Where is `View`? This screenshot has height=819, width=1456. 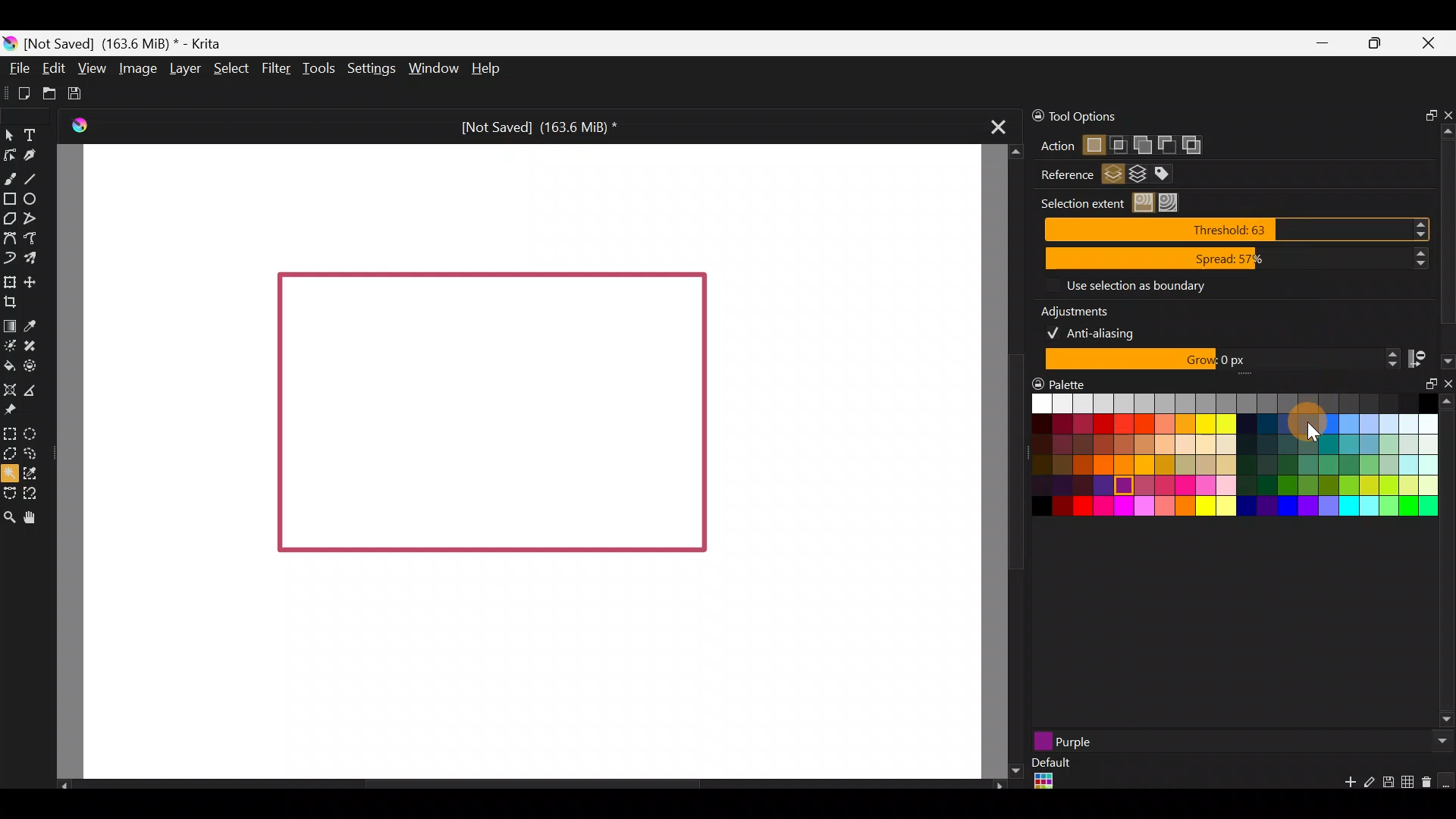
View is located at coordinates (91, 66).